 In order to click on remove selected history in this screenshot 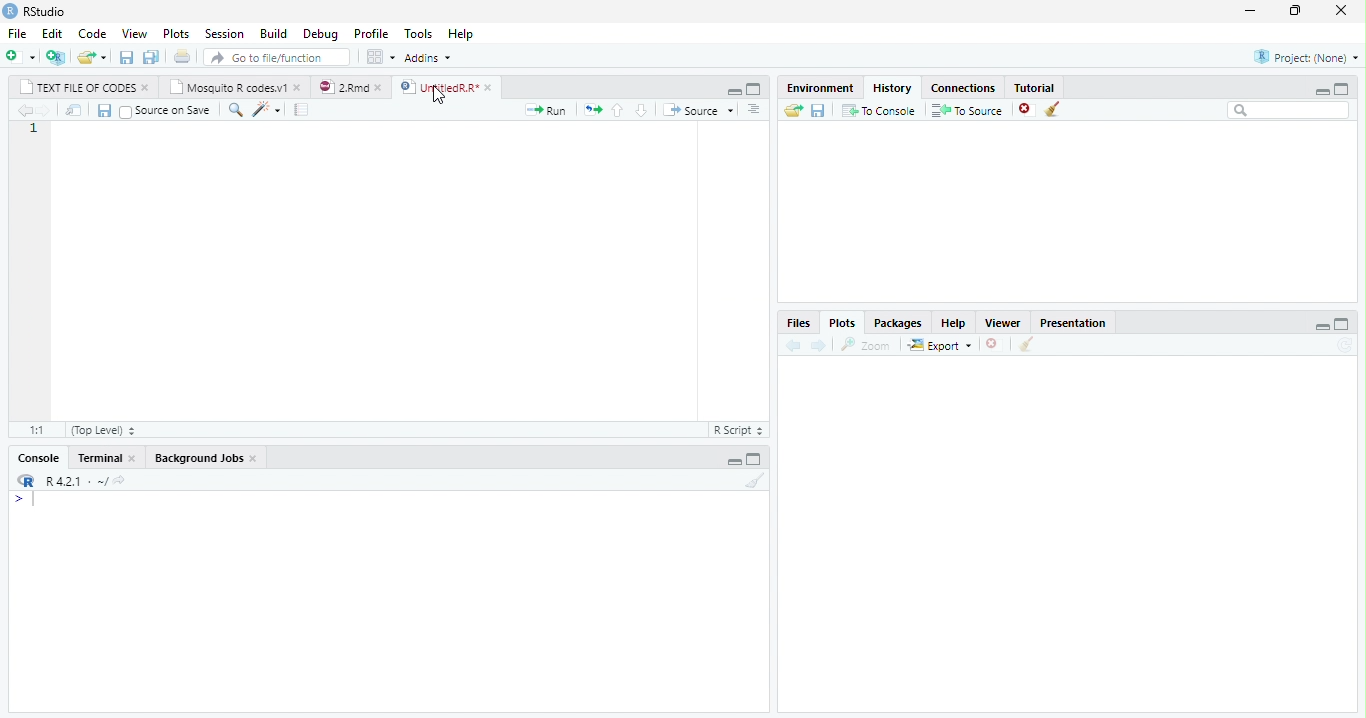, I will do `click(1021, 110)`.